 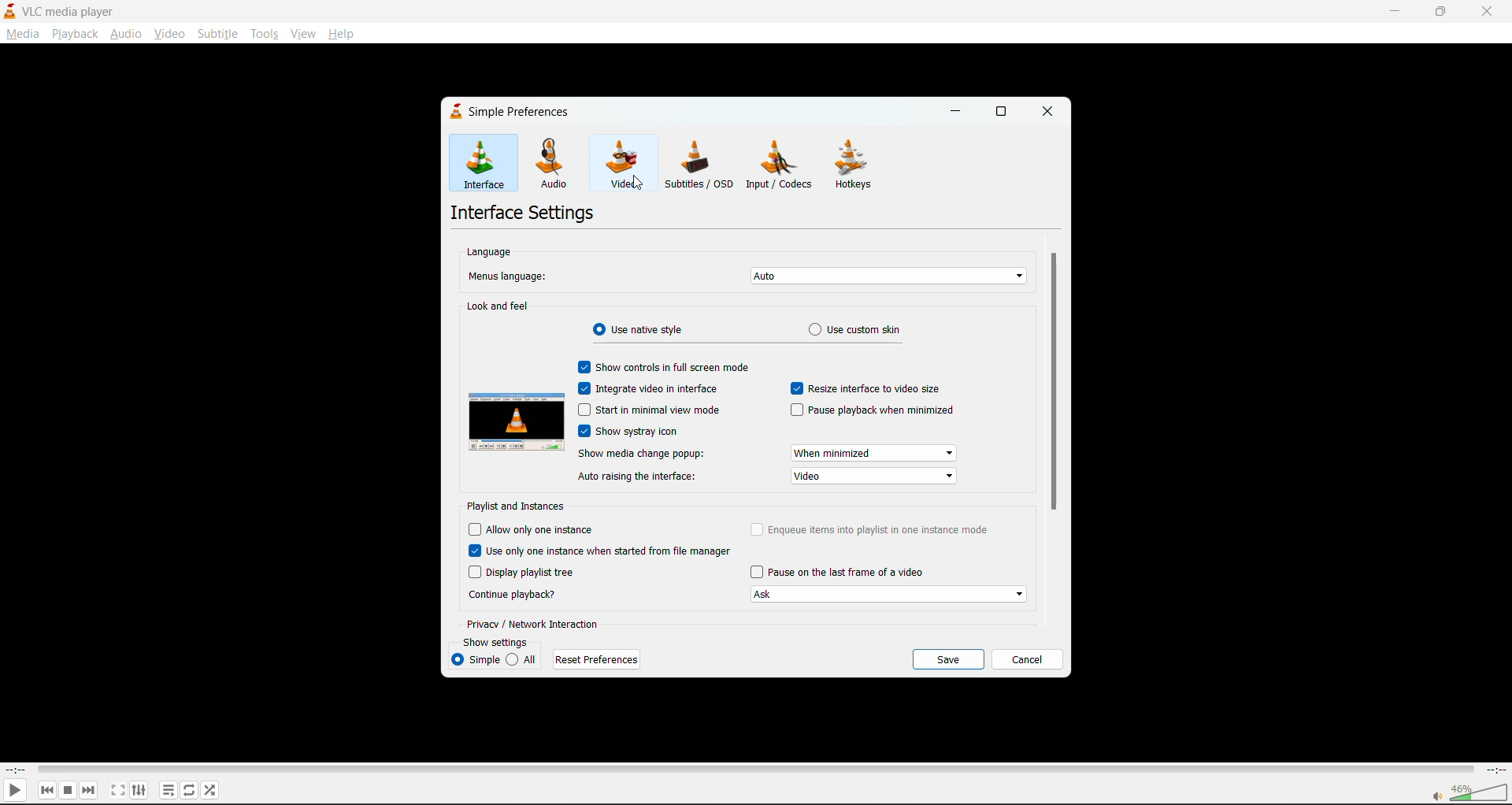 What do you see at coordinates (498, 308) in the screenshot?
I see `look and feel` at bounding box center [498, 308].